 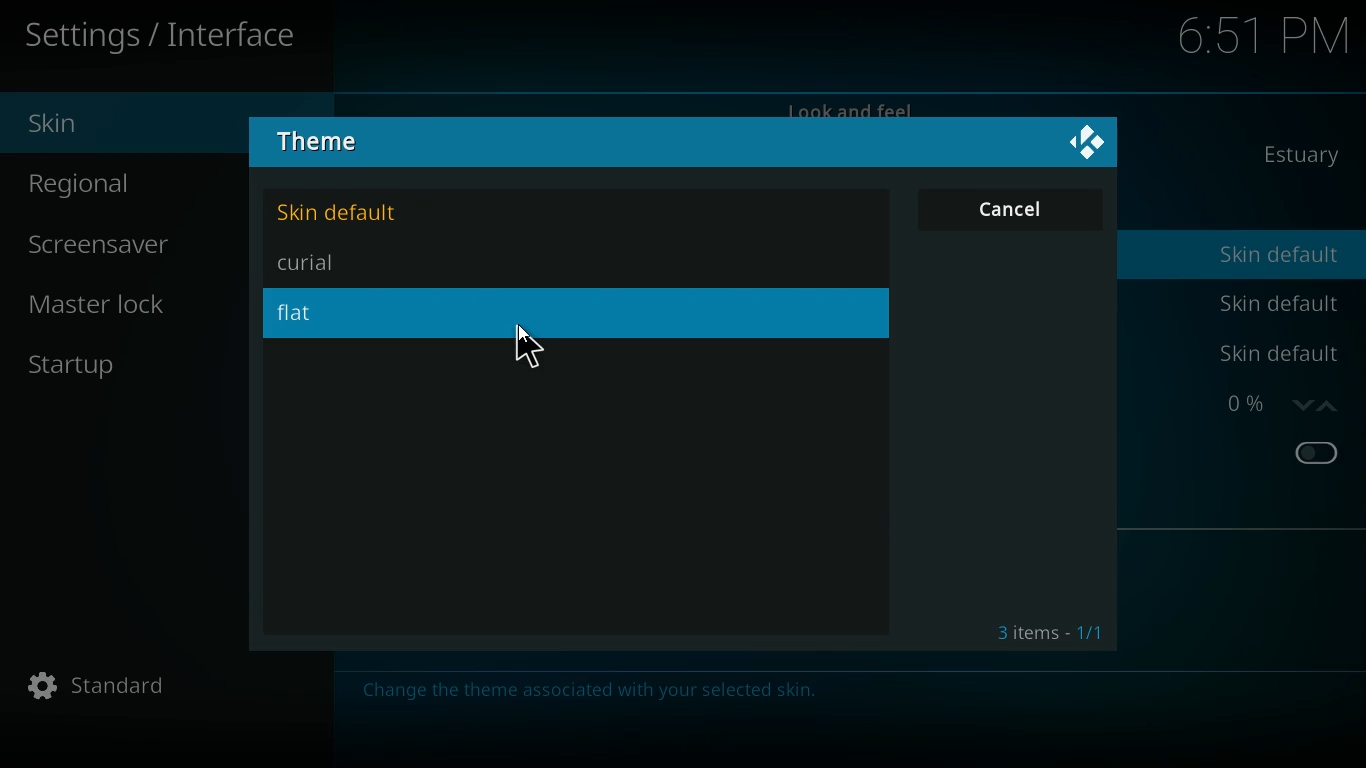 I want to click on Time - 6:51PM, so click(x=1256, y=36).